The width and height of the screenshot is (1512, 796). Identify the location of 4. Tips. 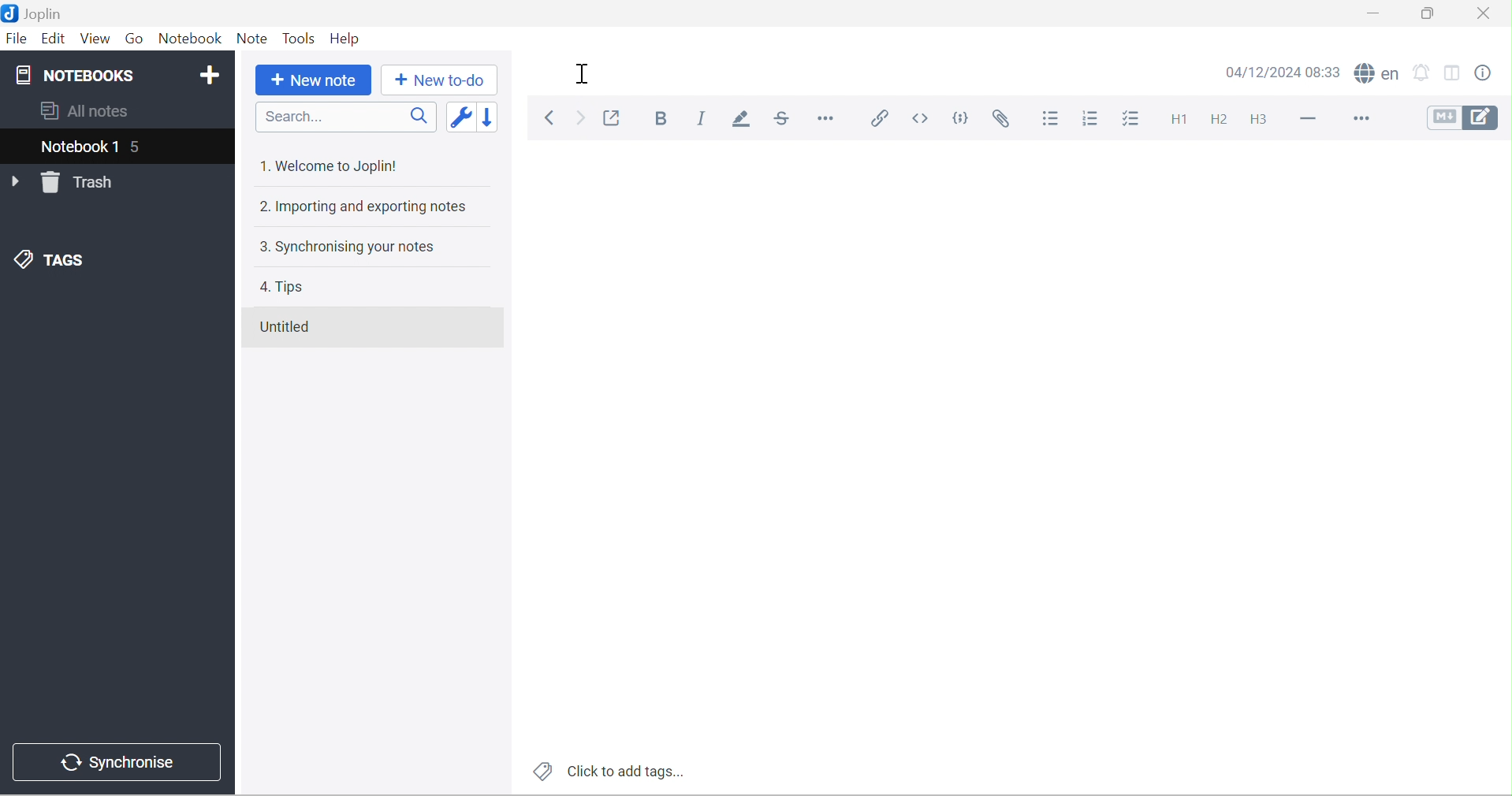
(283, 288).